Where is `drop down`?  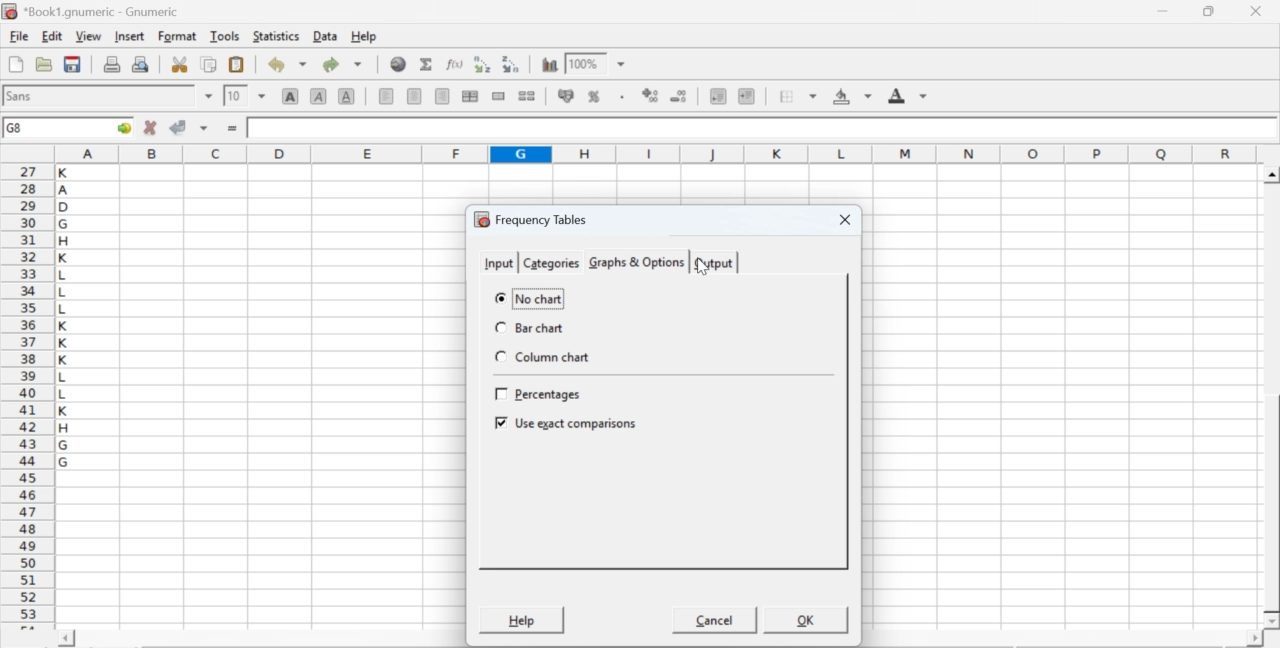 drop down is located at coordinates (262, 95).